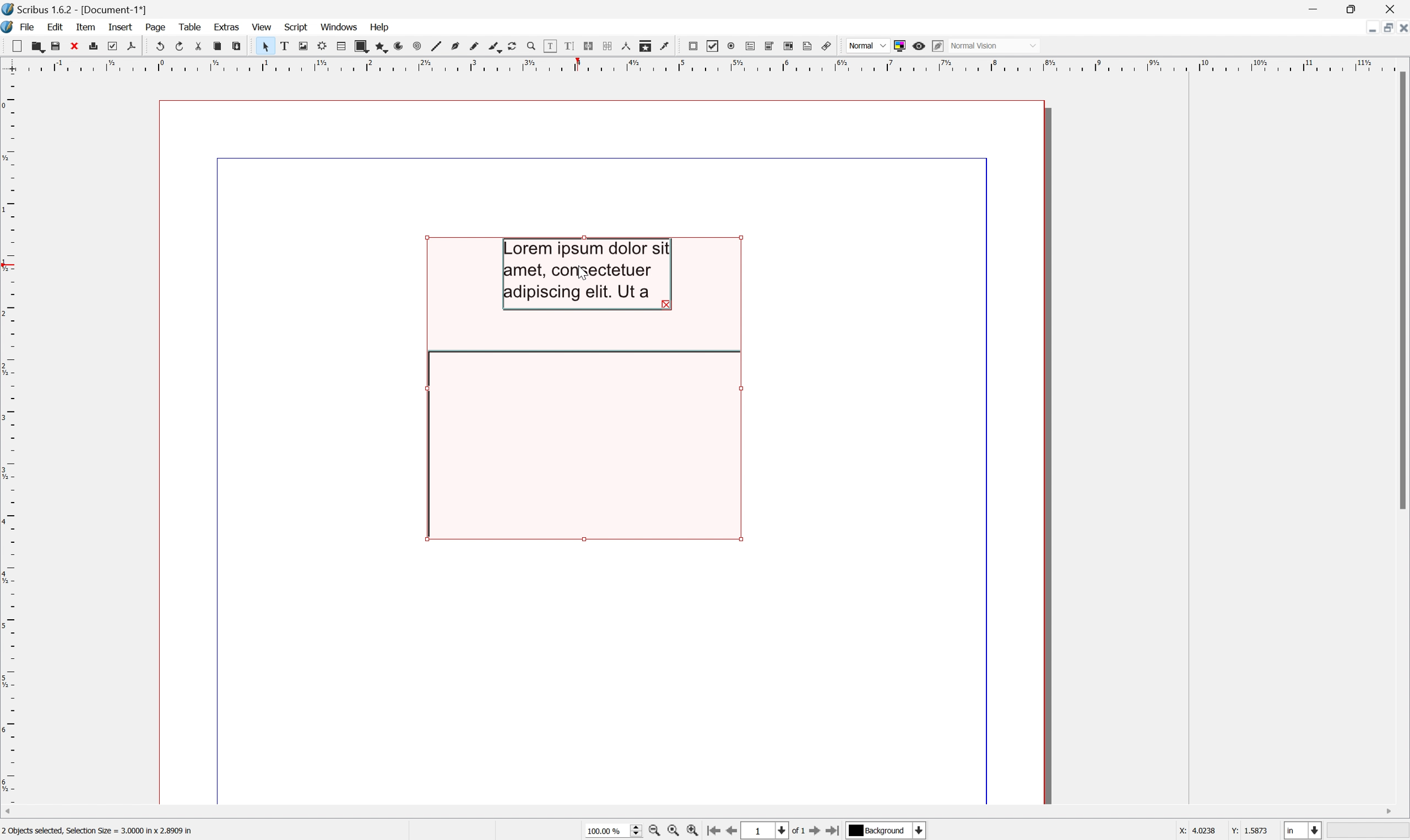  Describe the element at coordinates (9, 27) in the screenshot. I see `Scribus icon` at that location.